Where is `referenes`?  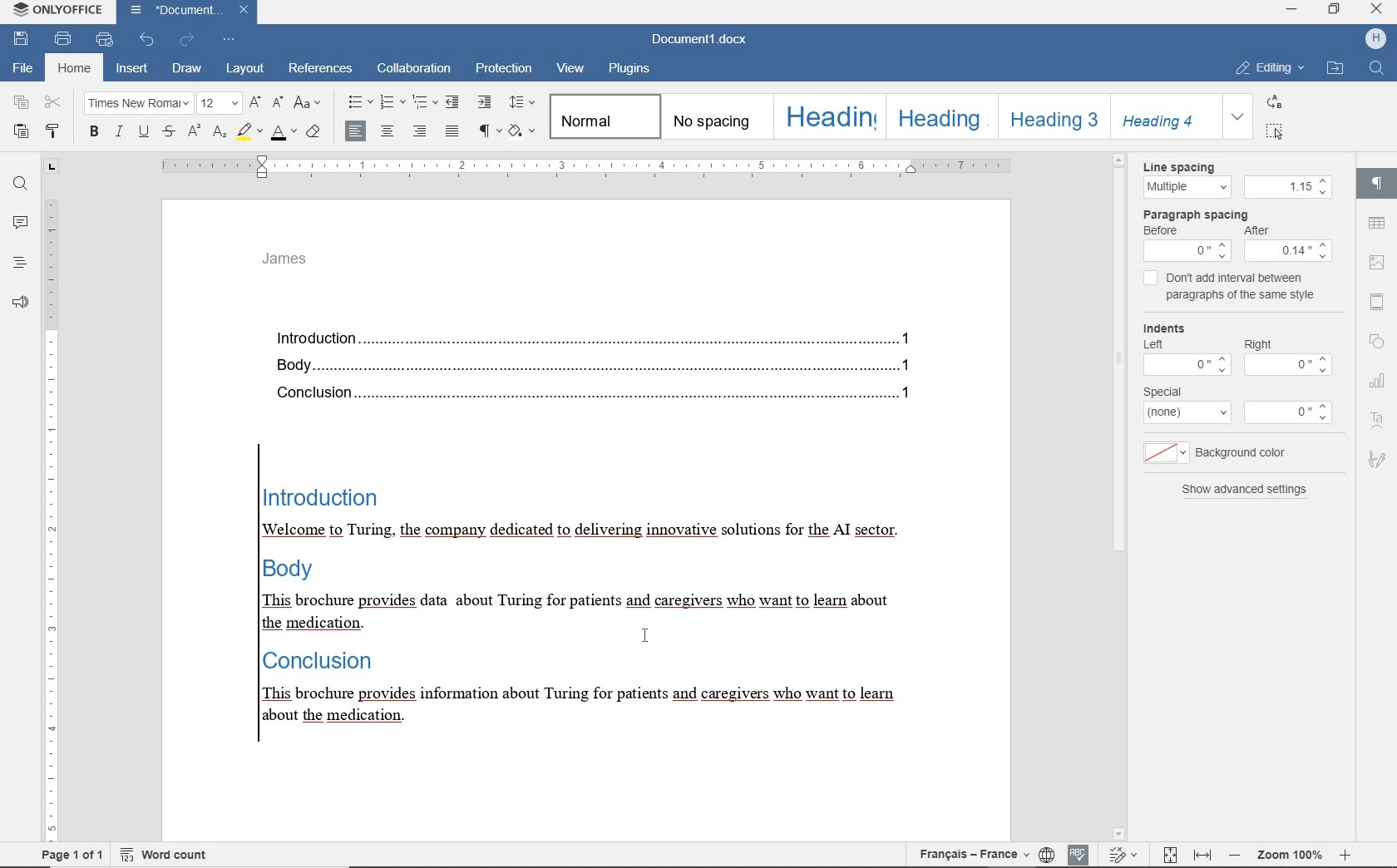
referenes is located at coordinates (322, 69).